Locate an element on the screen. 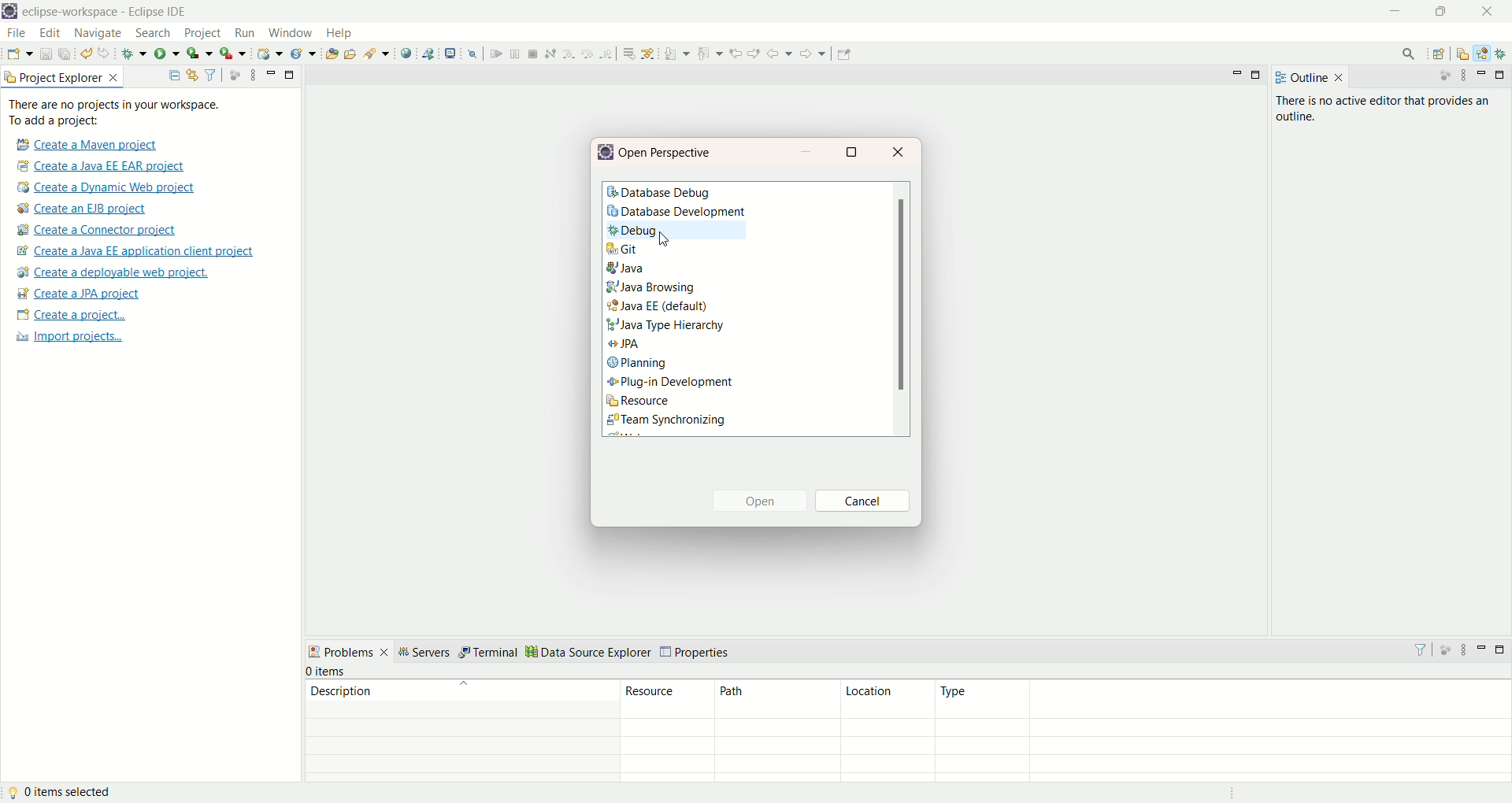  edit is located at coordinates (48, 34).